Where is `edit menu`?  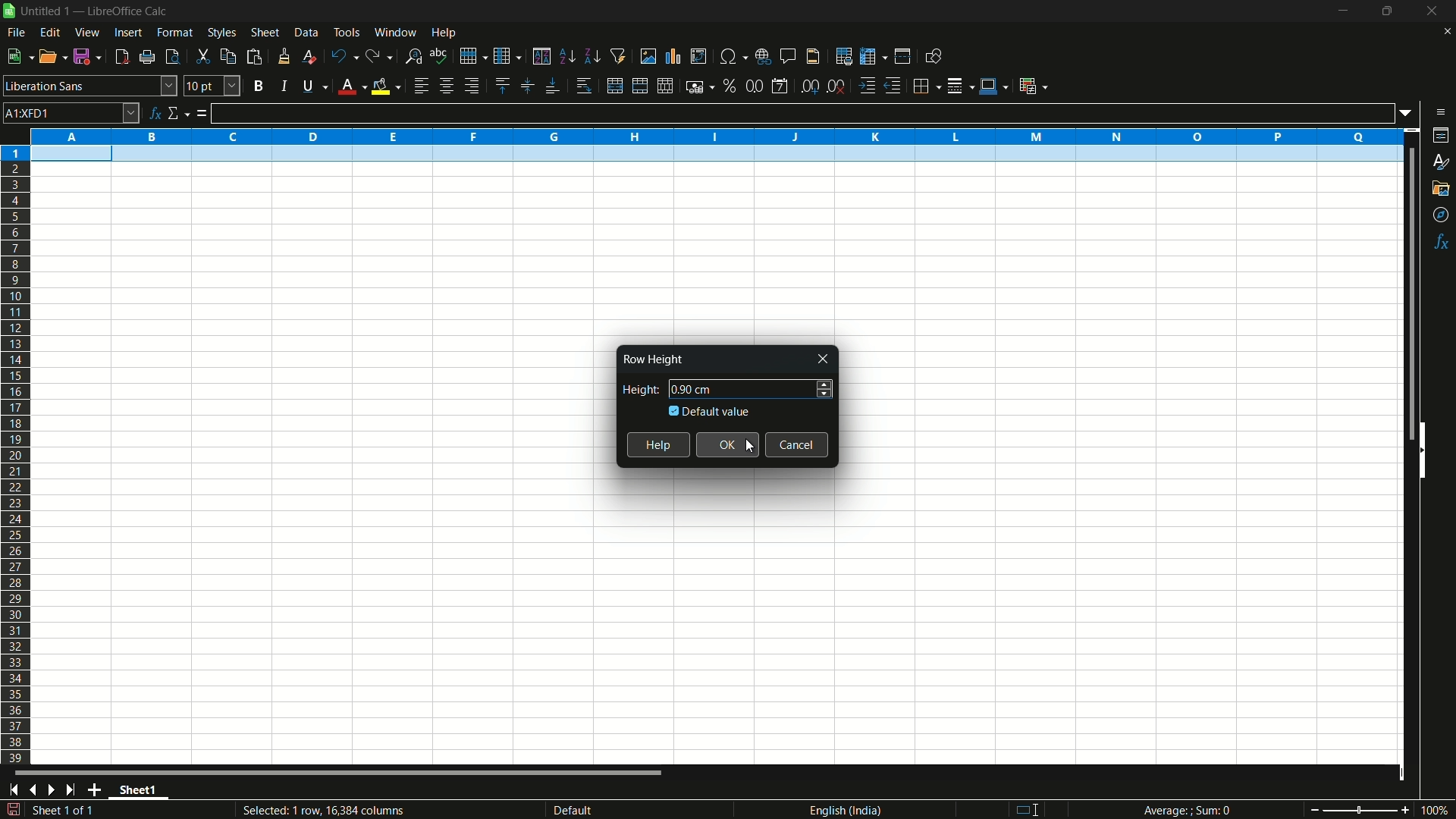
edit menu is located at coordinates (50, 32).